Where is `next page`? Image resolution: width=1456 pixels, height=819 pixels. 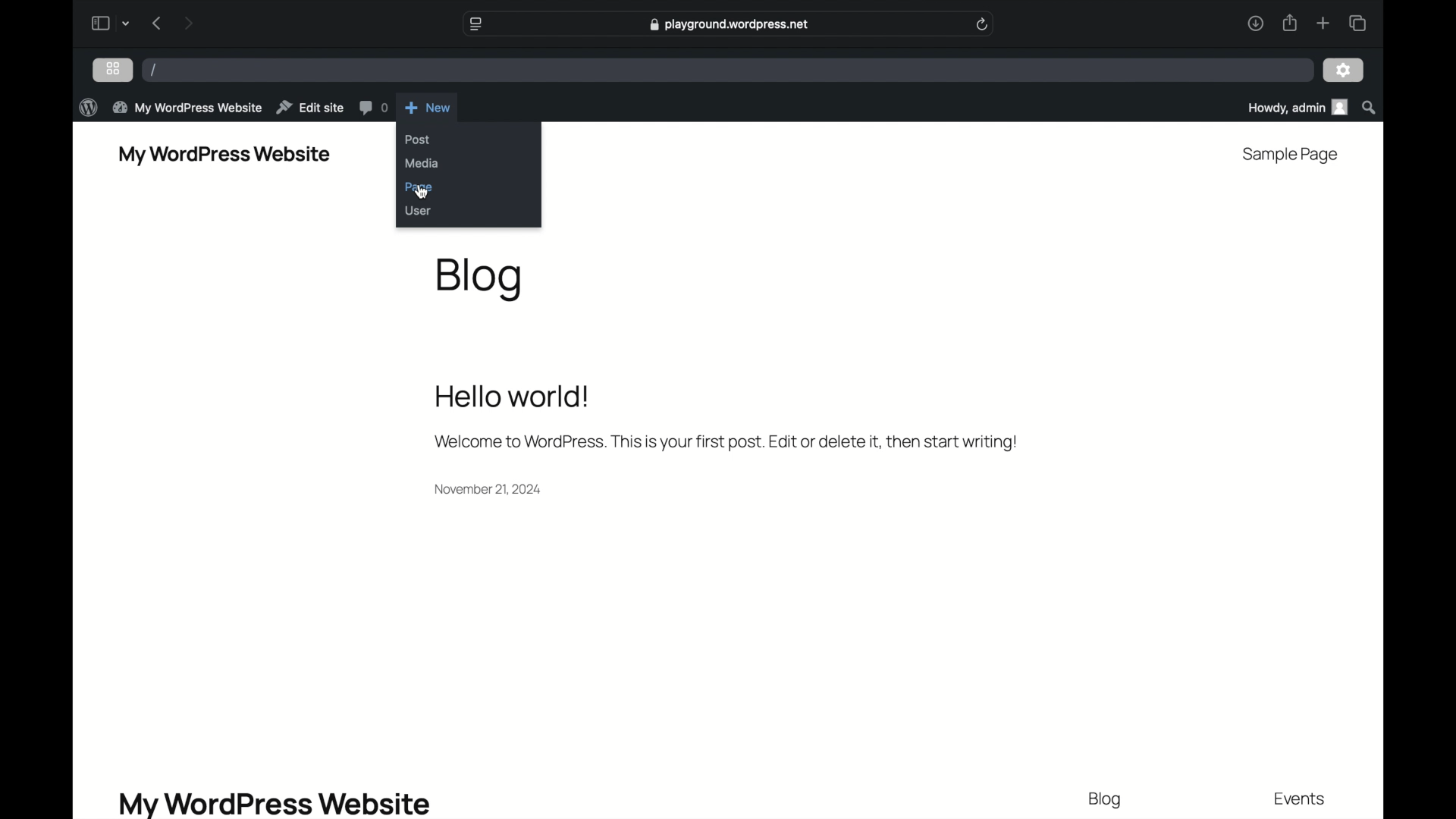
next page is located at coordinates (189, 24).